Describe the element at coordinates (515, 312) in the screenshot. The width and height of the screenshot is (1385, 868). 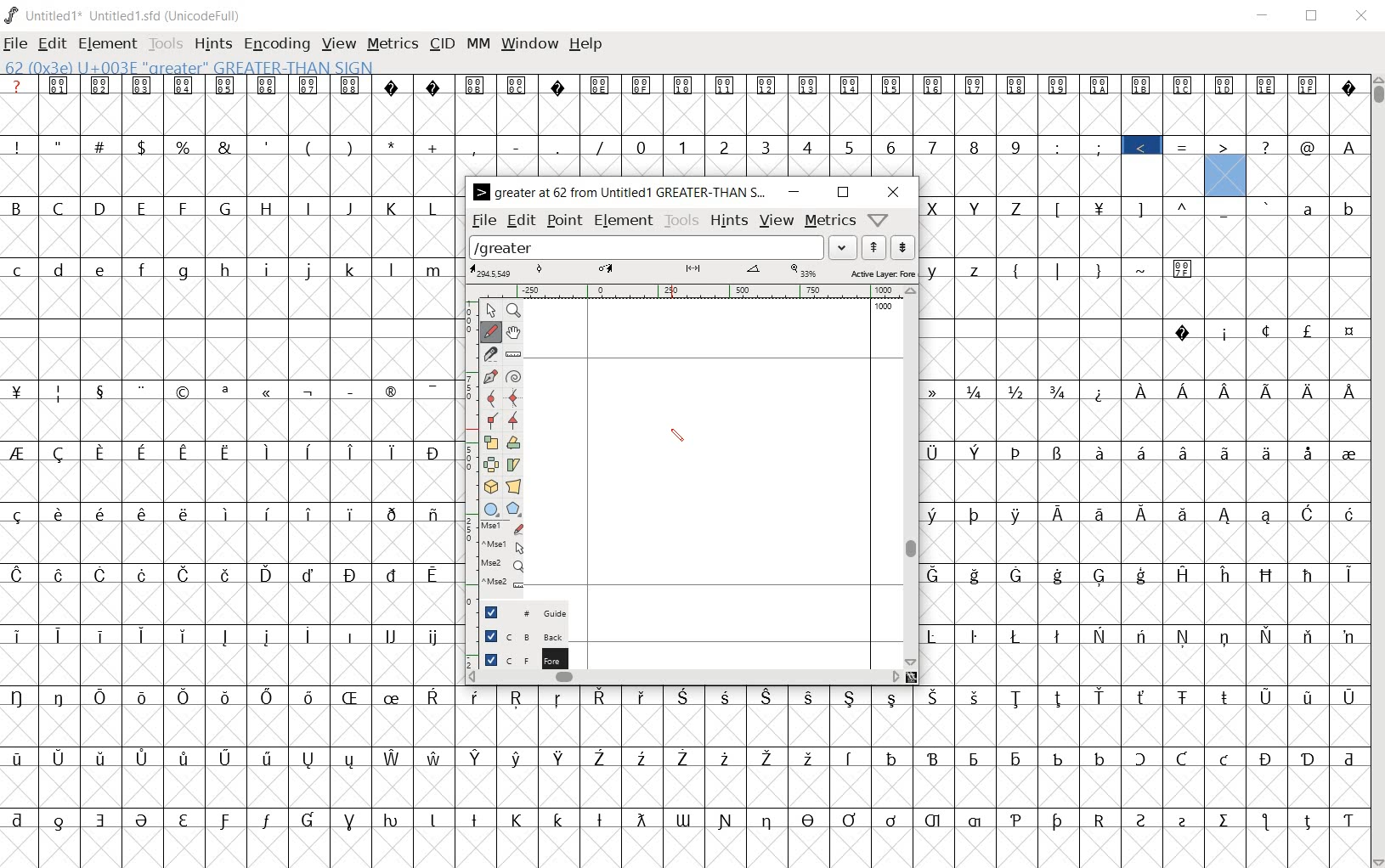
I see `Magnify` at that location.